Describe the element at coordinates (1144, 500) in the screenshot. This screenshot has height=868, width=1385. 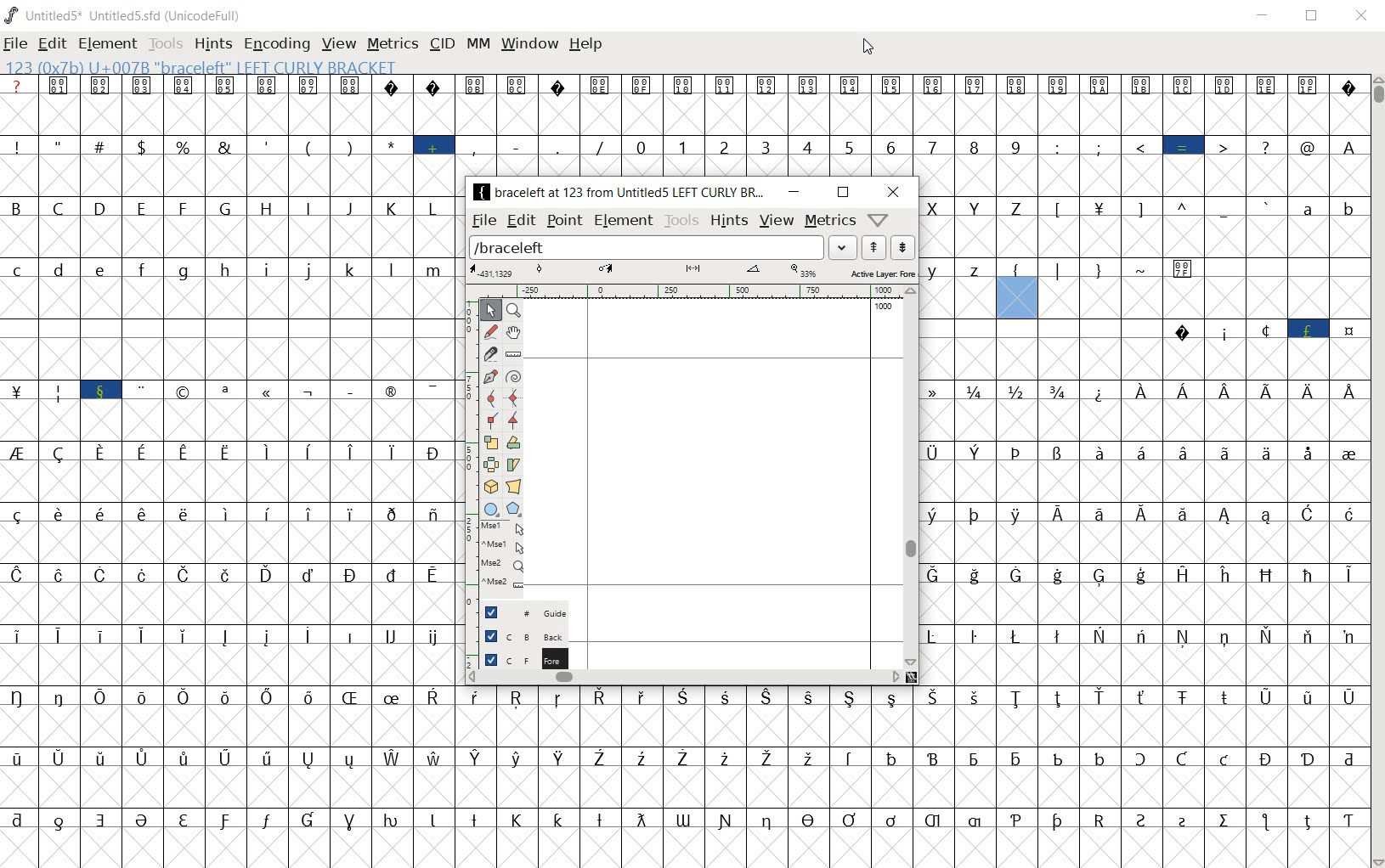
I see `glyph characters` at that location.